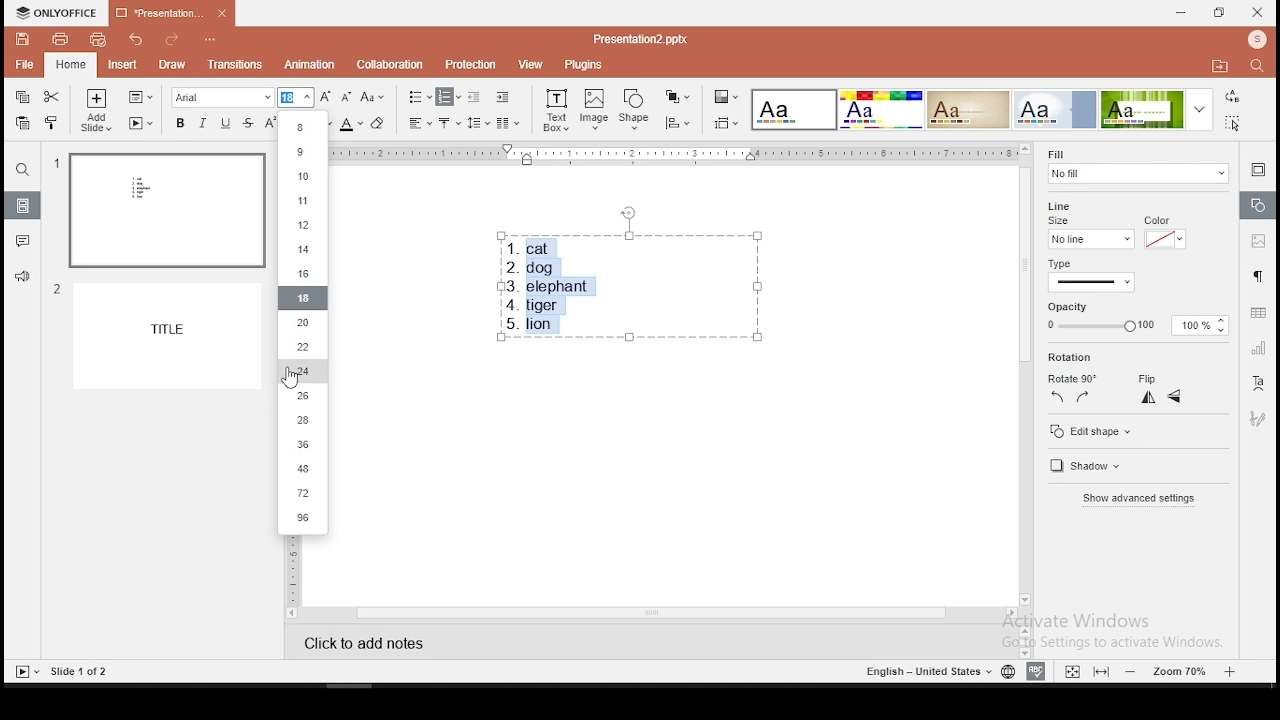  I want to click on draw, so click(172, 64).